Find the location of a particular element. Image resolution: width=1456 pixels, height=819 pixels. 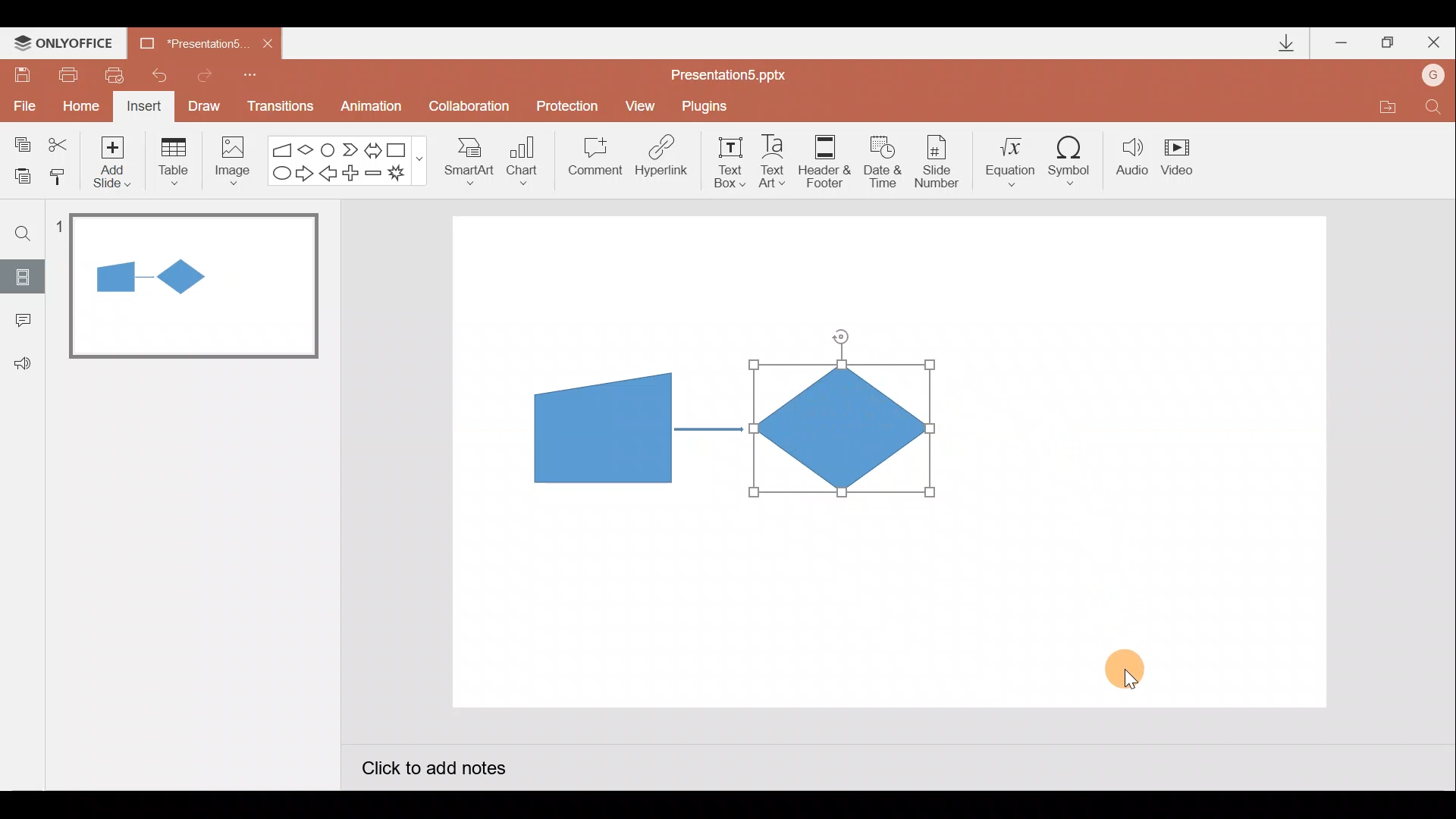

Date & time is located at coordinates (881, 158).